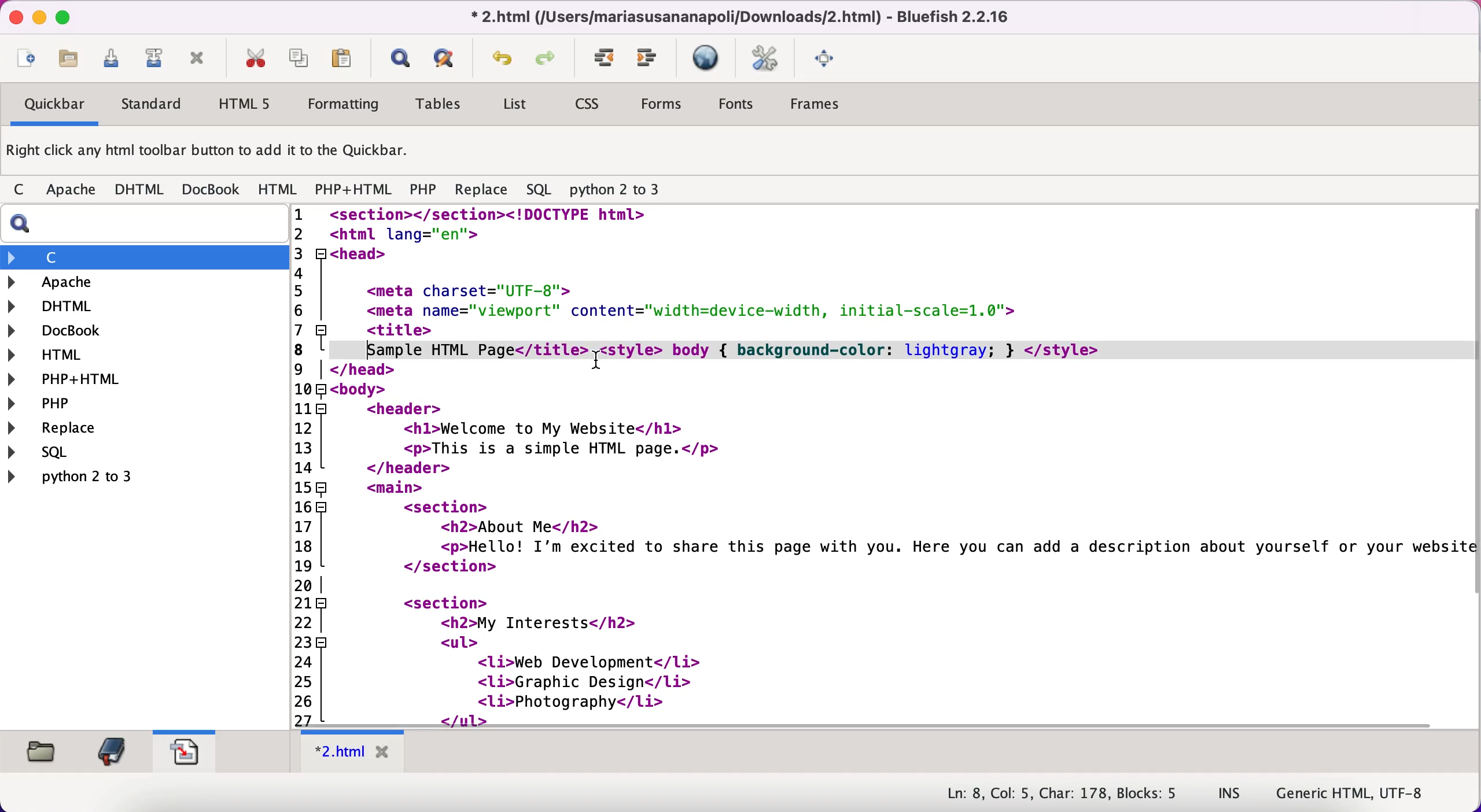 The height and width of the screenshot is (812, 1481). What do you see at coordinates (73, 380) in the screenshot?
I see `php+html` at bounding box center [73, 380].